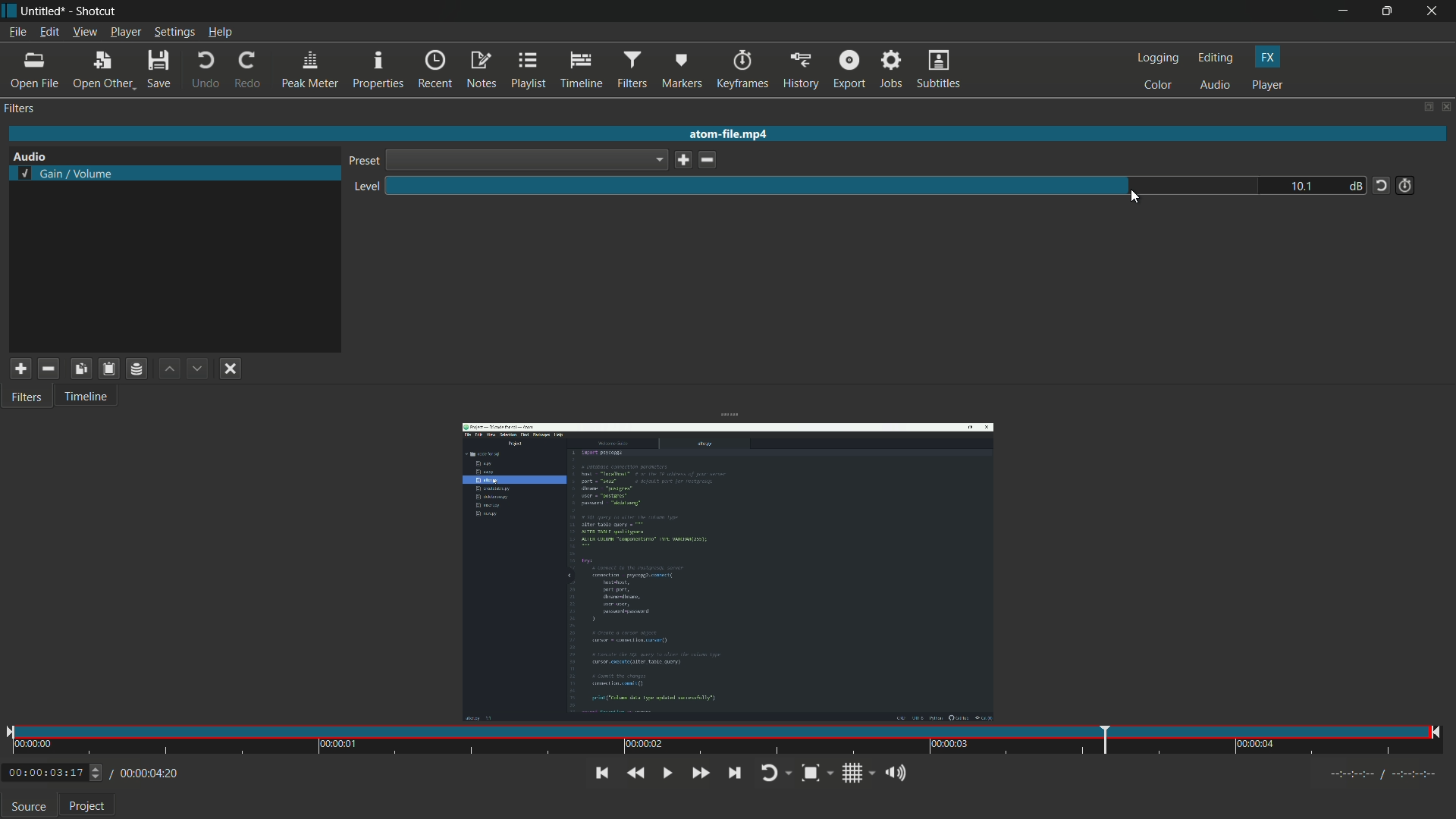  Describe the element at coordinates (741, 70) in the screenshot. I see `keyframes` at that location.